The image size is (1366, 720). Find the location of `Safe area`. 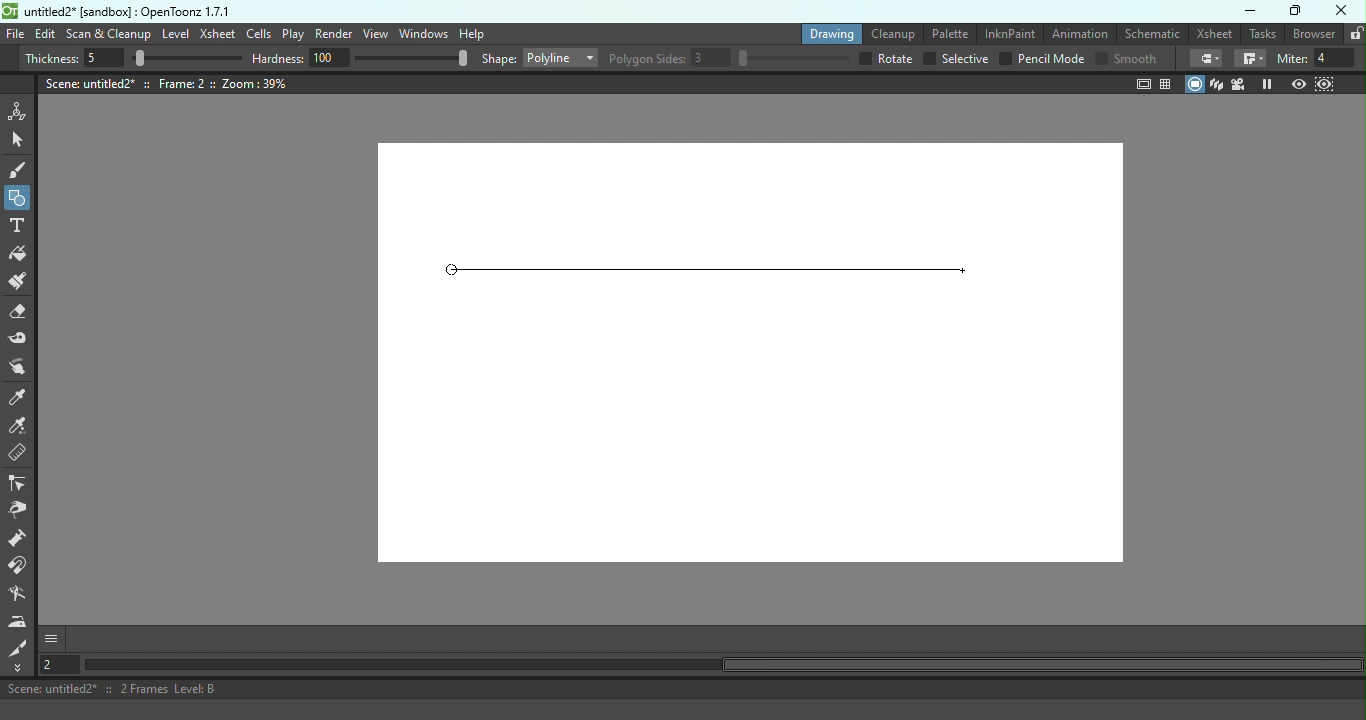

Safe area is located at coordinates (1142, 85).